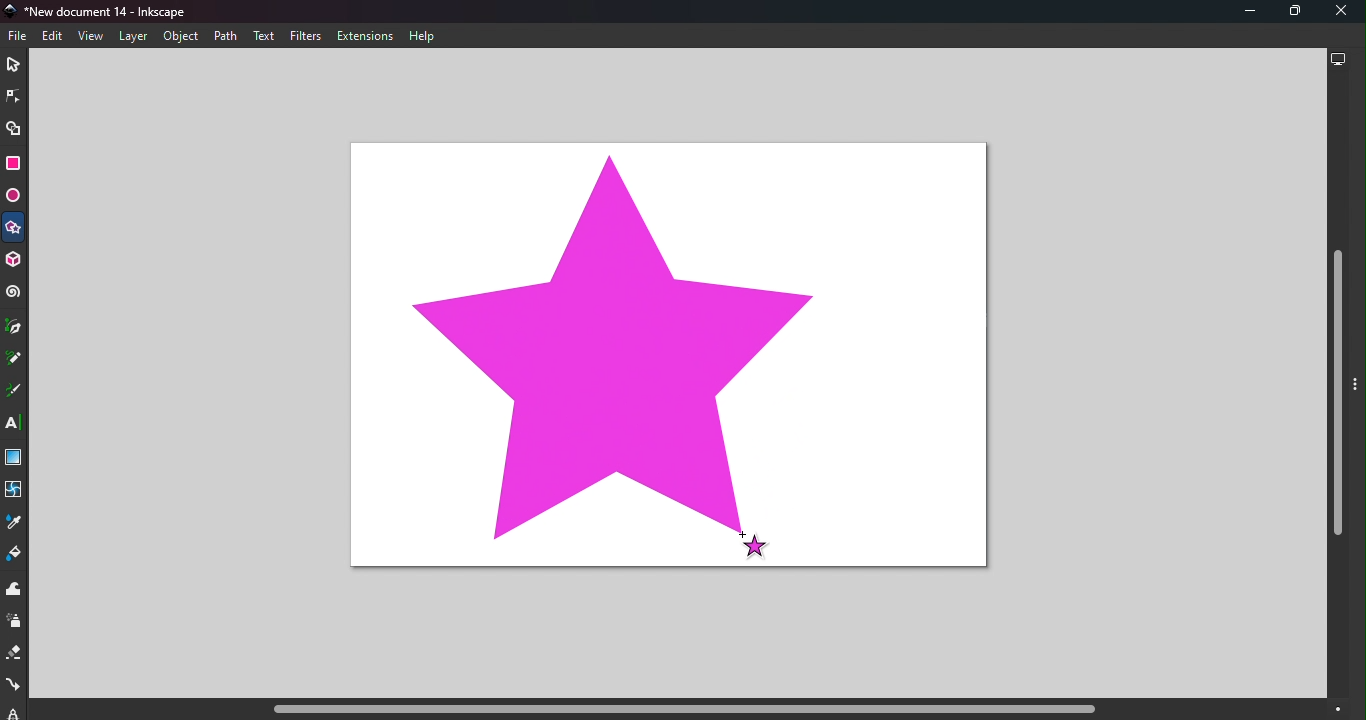 This screenshot has height=720, width=1366. What do you see at coordinates (21, 36) in the screenshot?
I see `File` at bounding box center [21, 36].